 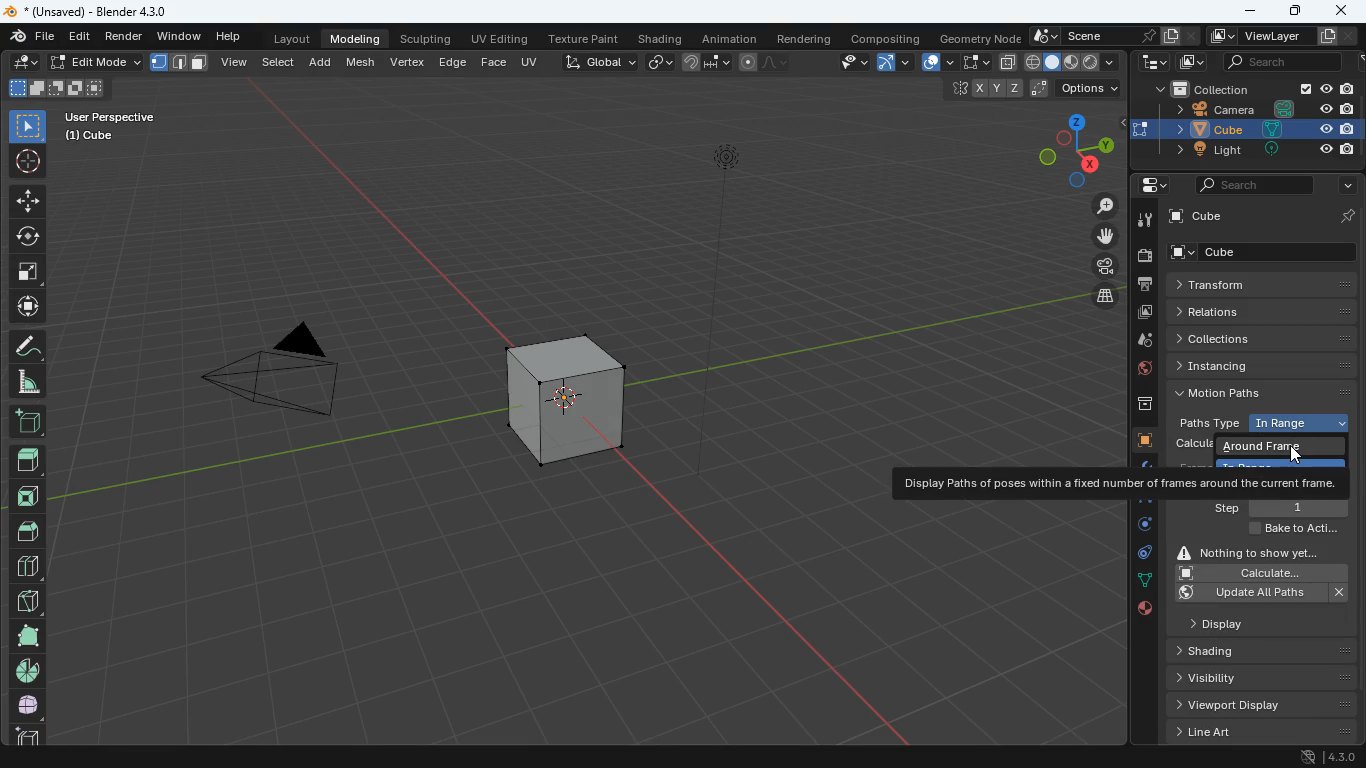 I want to click on arc, so click(x=896, y=62).